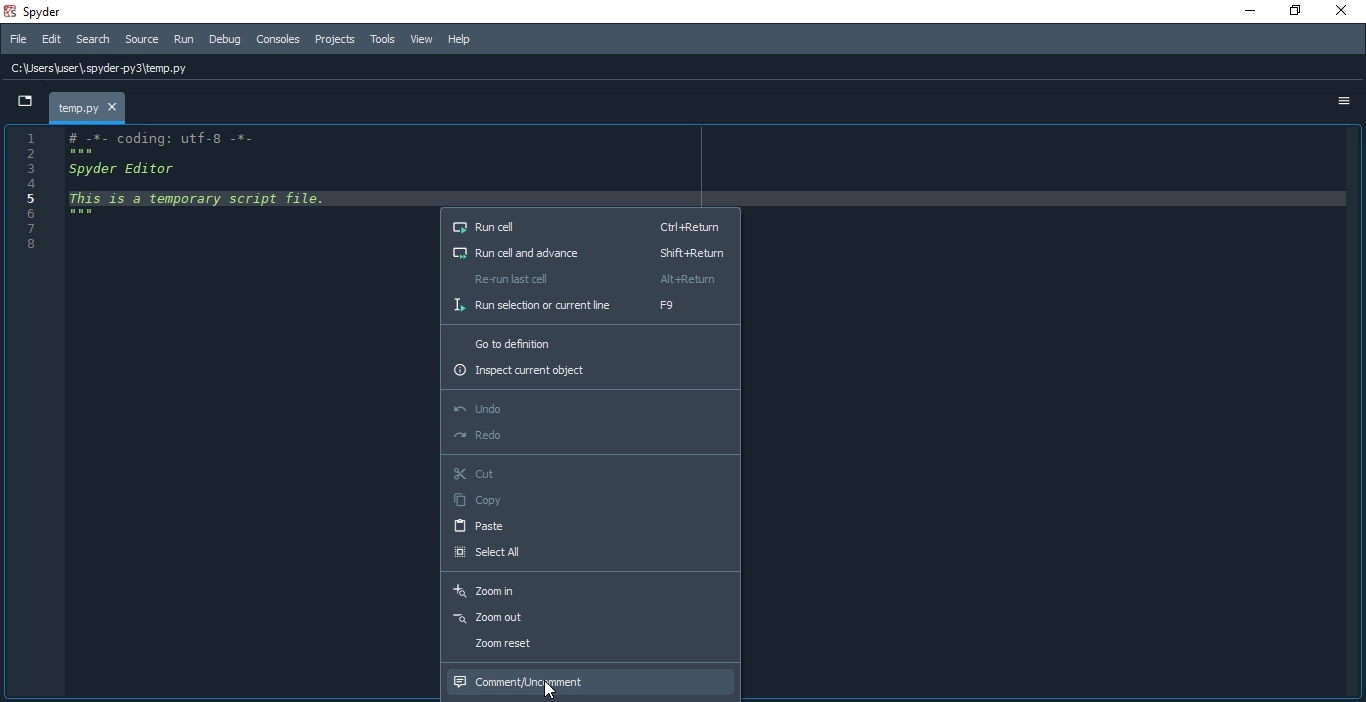 This screenshot has width=1366, height=702. What do you see at coordinates (589, 307) in the screenshot?
I see `Run selection or current line` at bounding box center [589, 307].